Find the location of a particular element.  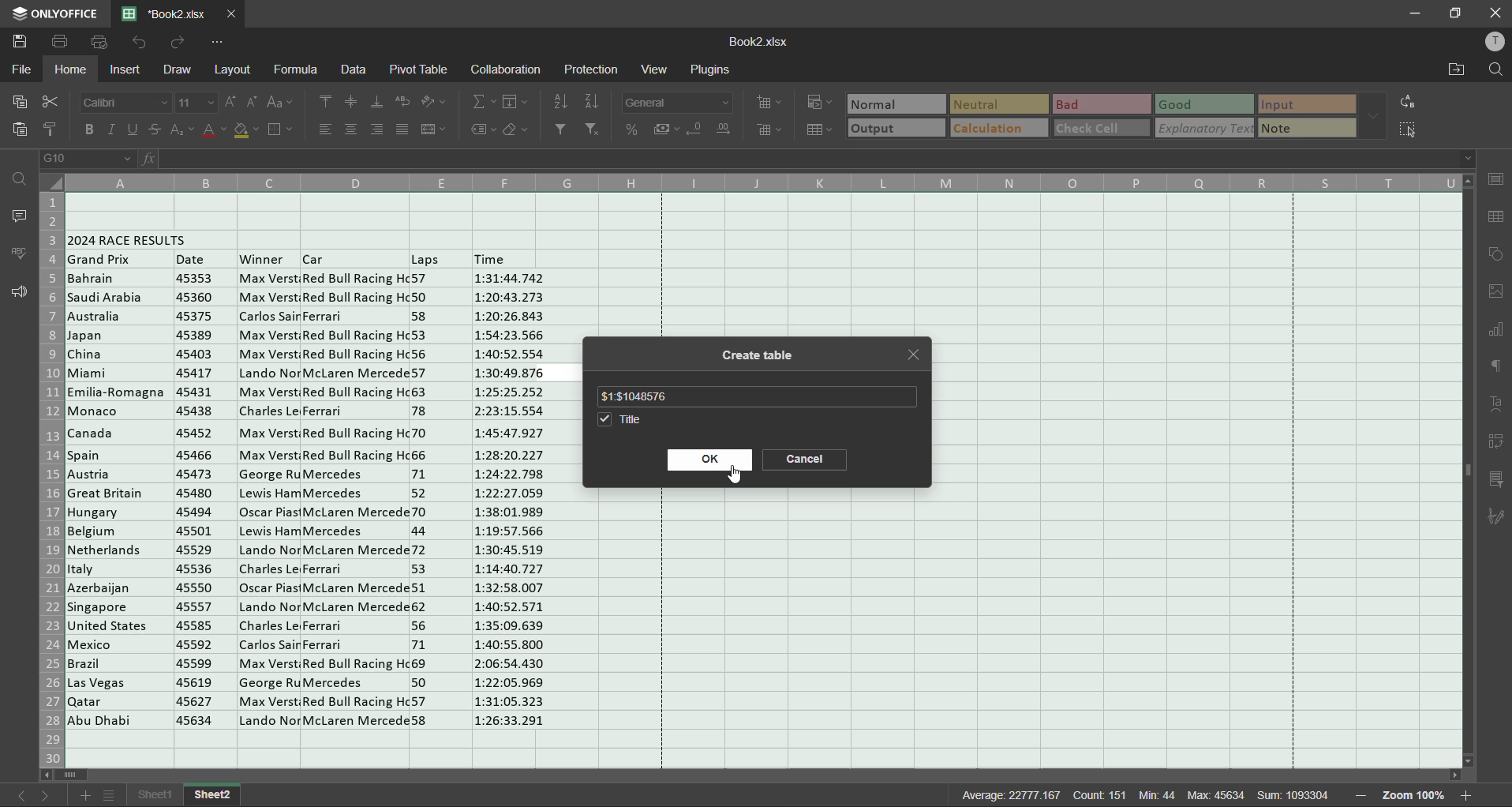

next is located at coordinates (47, 795).